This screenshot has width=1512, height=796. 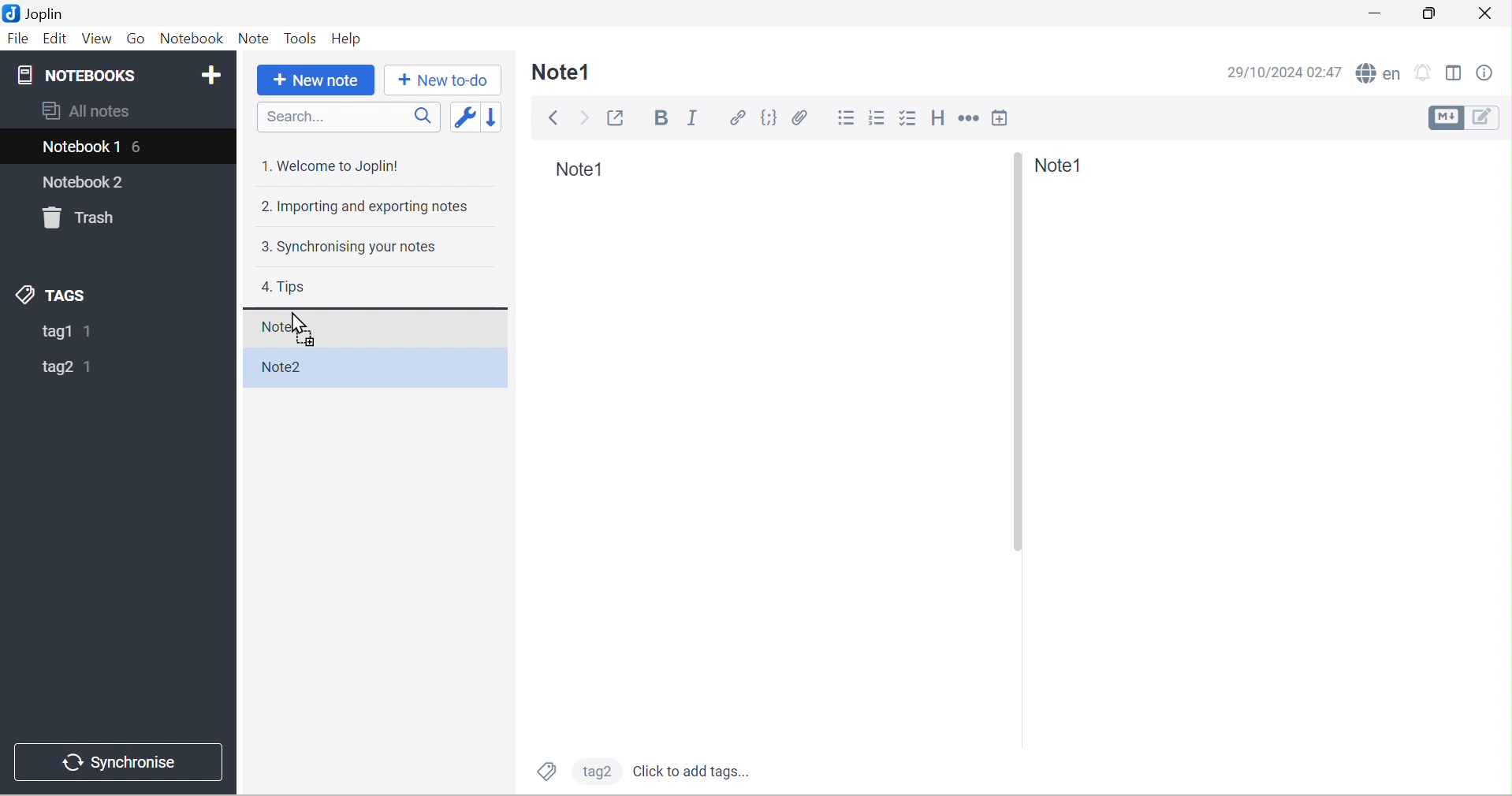 I want to click on Tools, so click(x=302, y=39).